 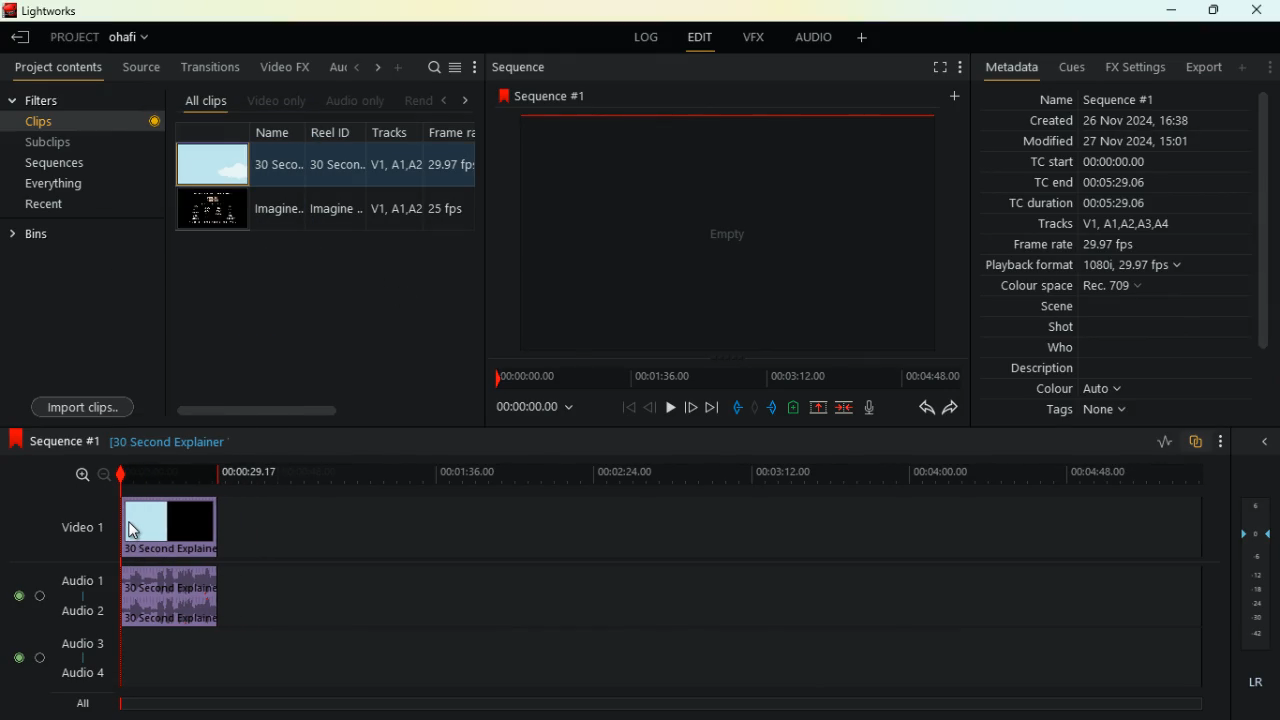 I want to click on beggining, so click(x=624, y=407).